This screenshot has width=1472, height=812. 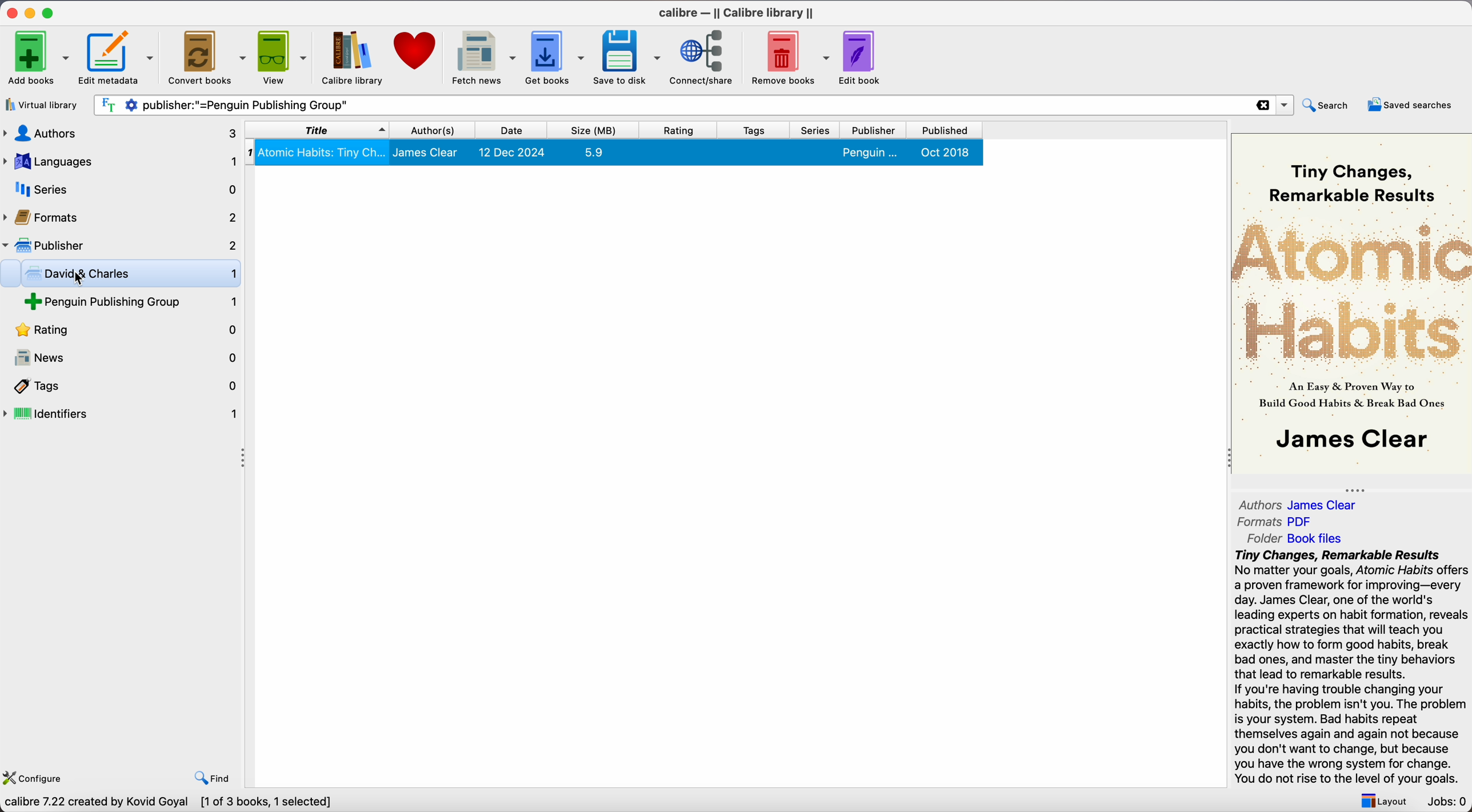 What do you see at coordinates (30, 13) in the screenshot?
I see `minimize` at bounding box center [30, 13].